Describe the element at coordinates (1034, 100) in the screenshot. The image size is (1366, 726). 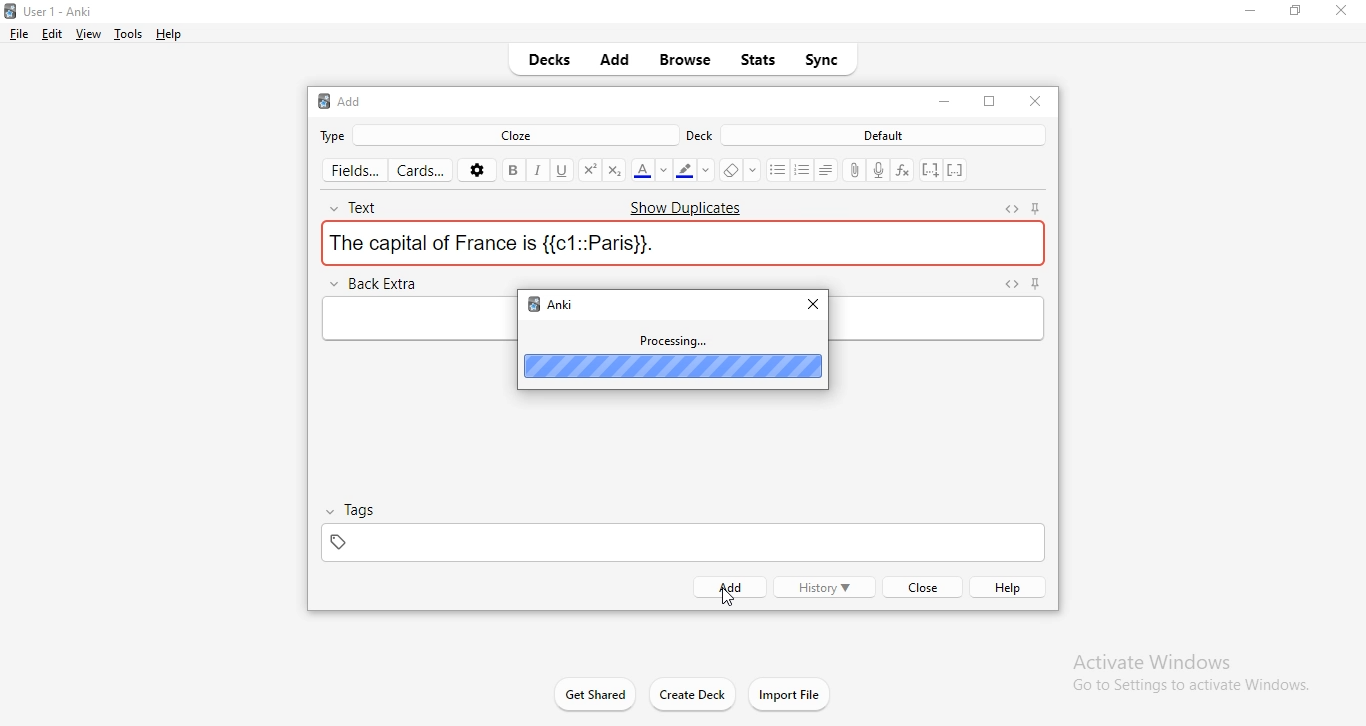
I see `close` at that location.